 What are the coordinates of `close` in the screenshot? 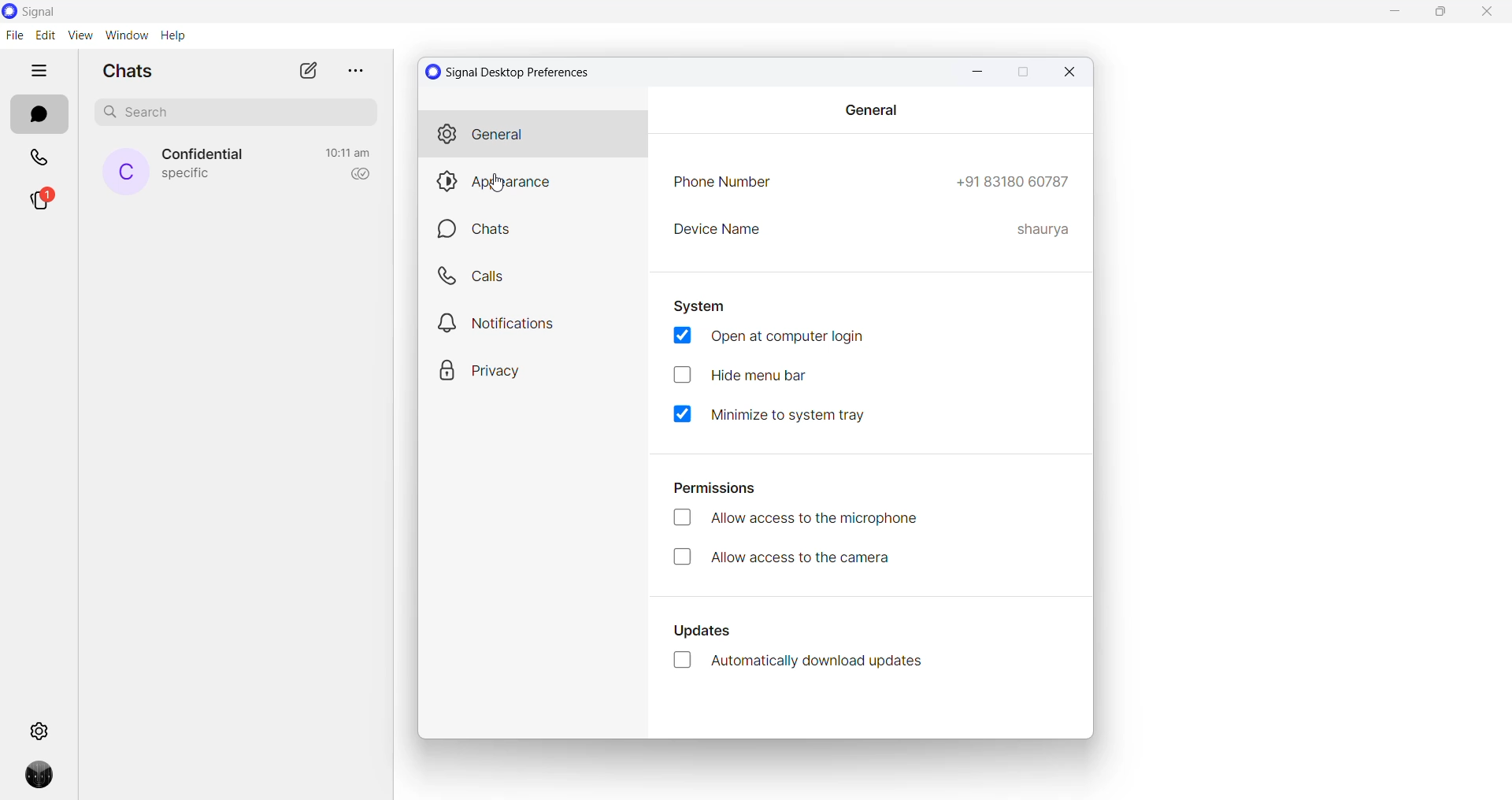 It's located at (1486, 14).